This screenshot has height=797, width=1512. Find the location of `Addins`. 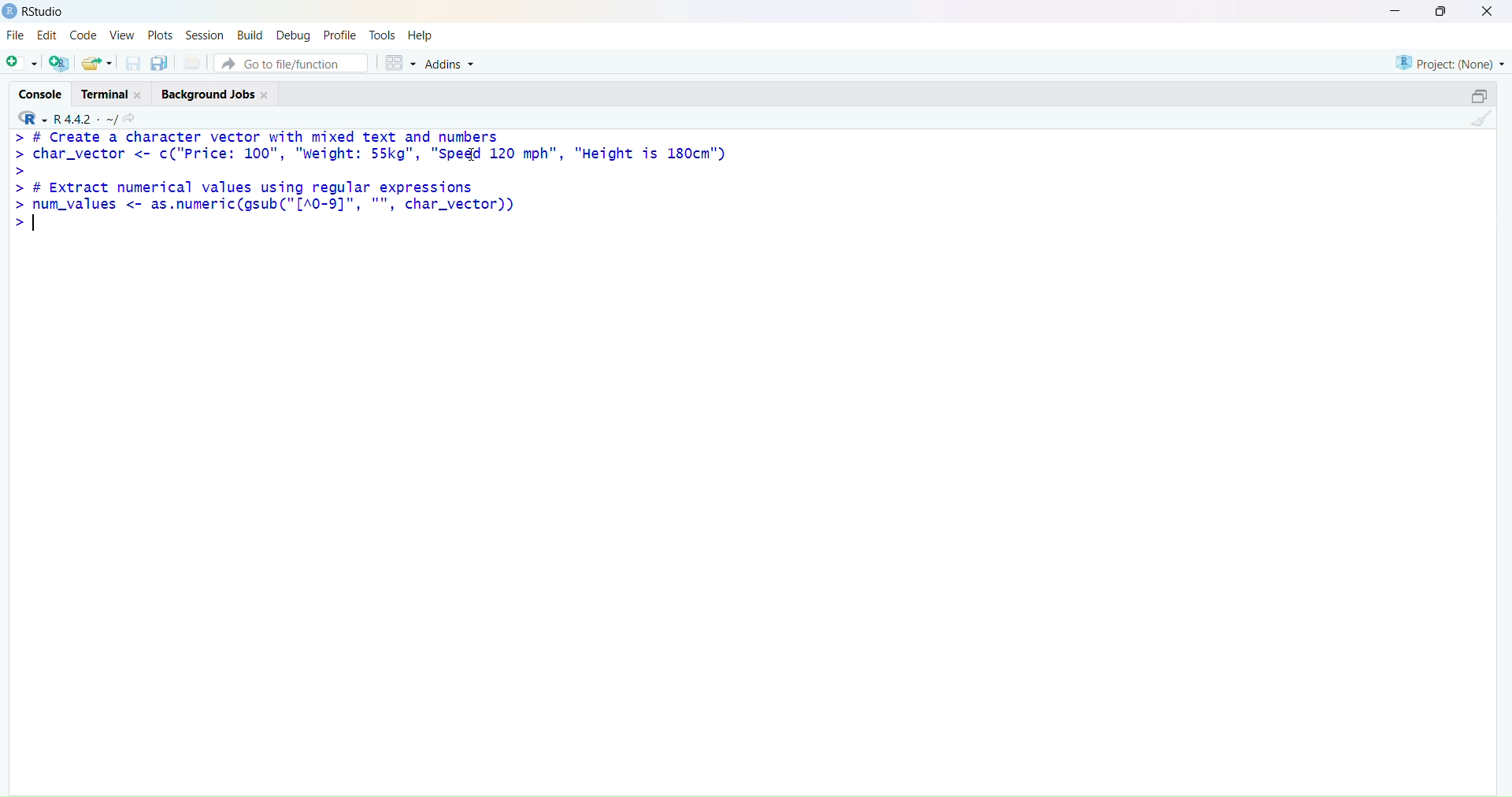

Addins is located at coordinates (451, 65).